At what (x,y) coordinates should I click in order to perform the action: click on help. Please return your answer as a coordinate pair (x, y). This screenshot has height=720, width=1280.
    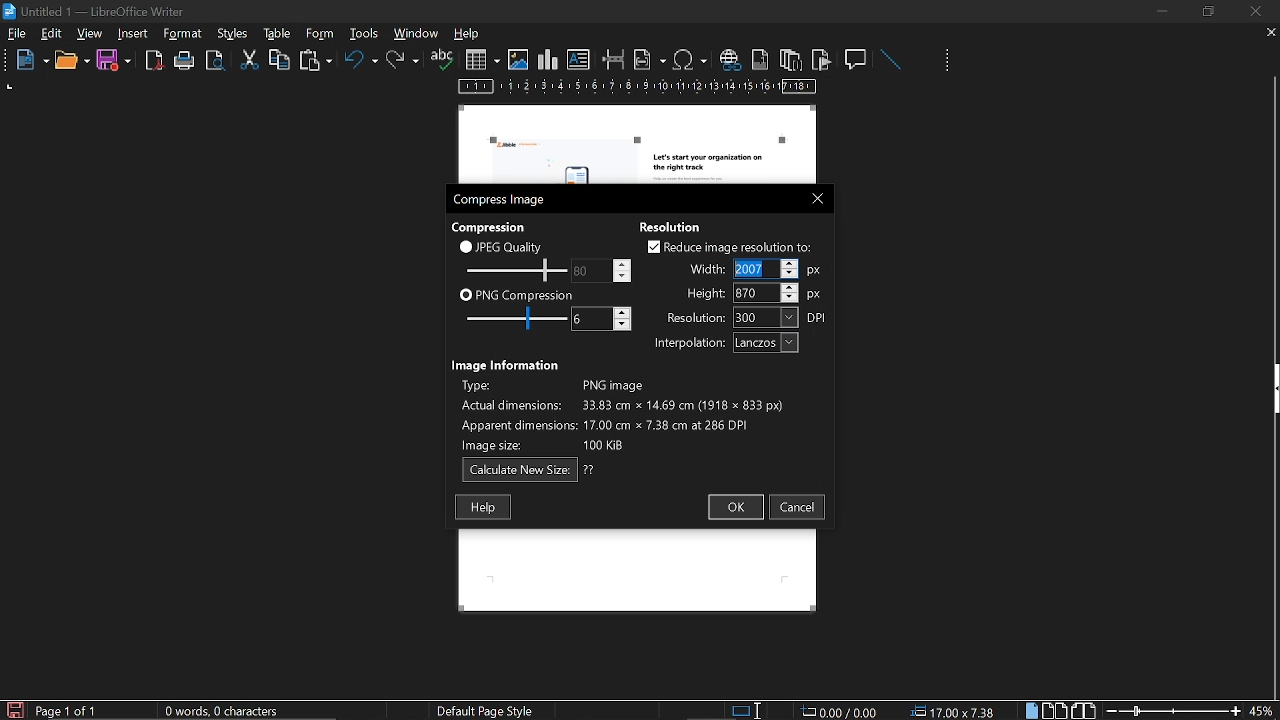
    Looking at the image, I should click on (483, 507).